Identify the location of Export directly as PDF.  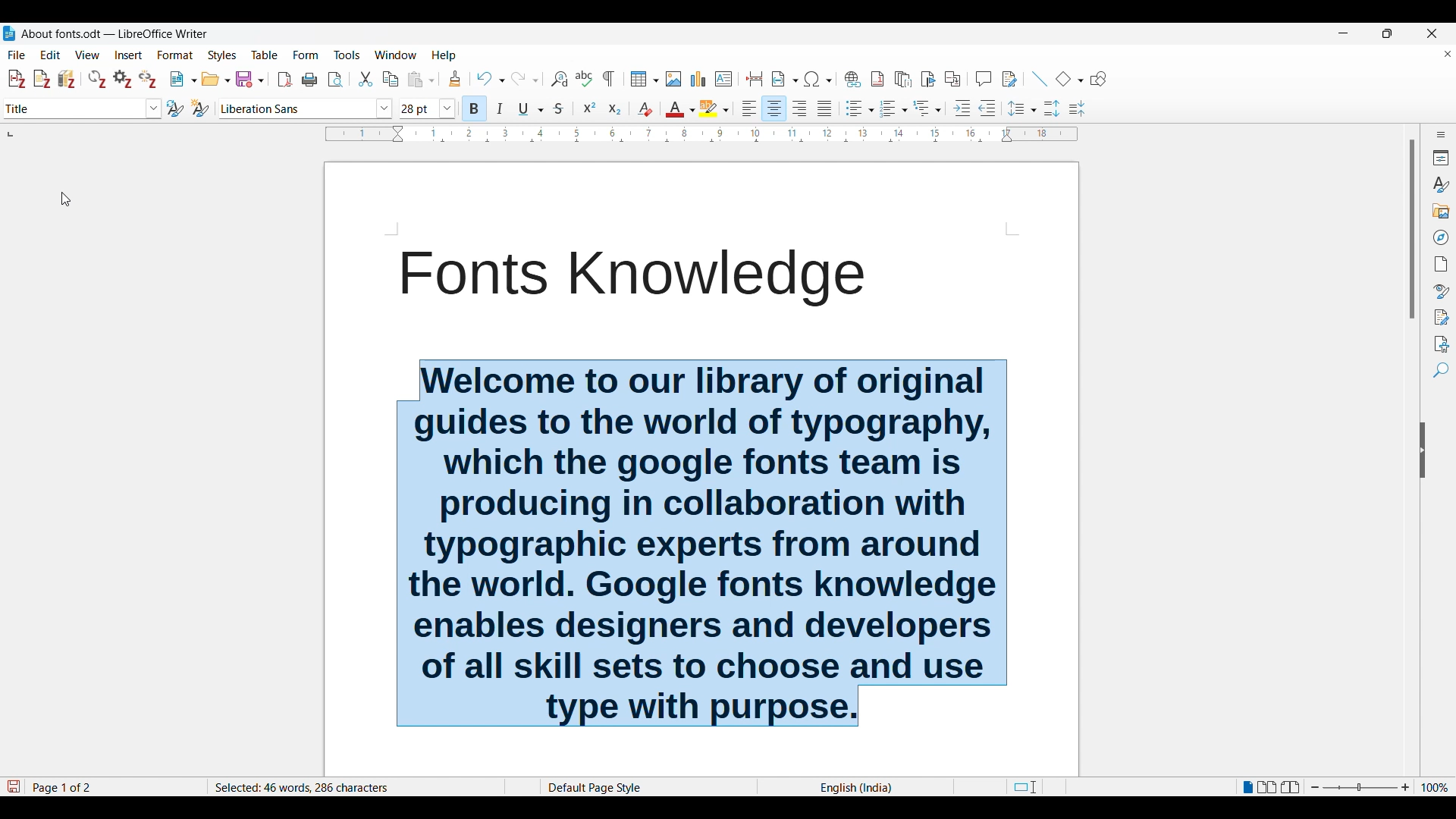
(286, 80).